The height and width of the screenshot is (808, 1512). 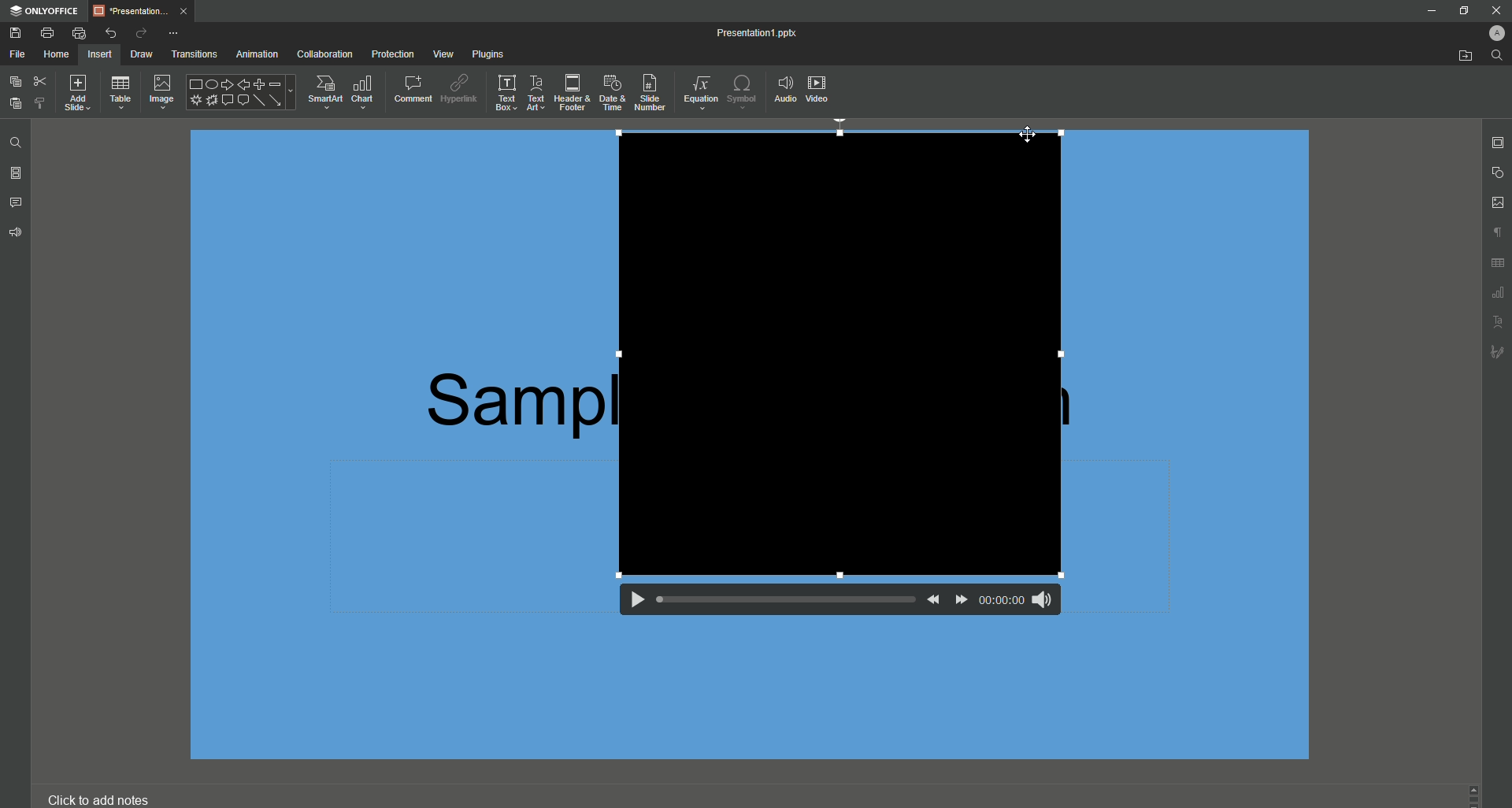 What do you see at coordinates (444, 54) in the screenshot?
I see `View` at bounding box center [444, 54].